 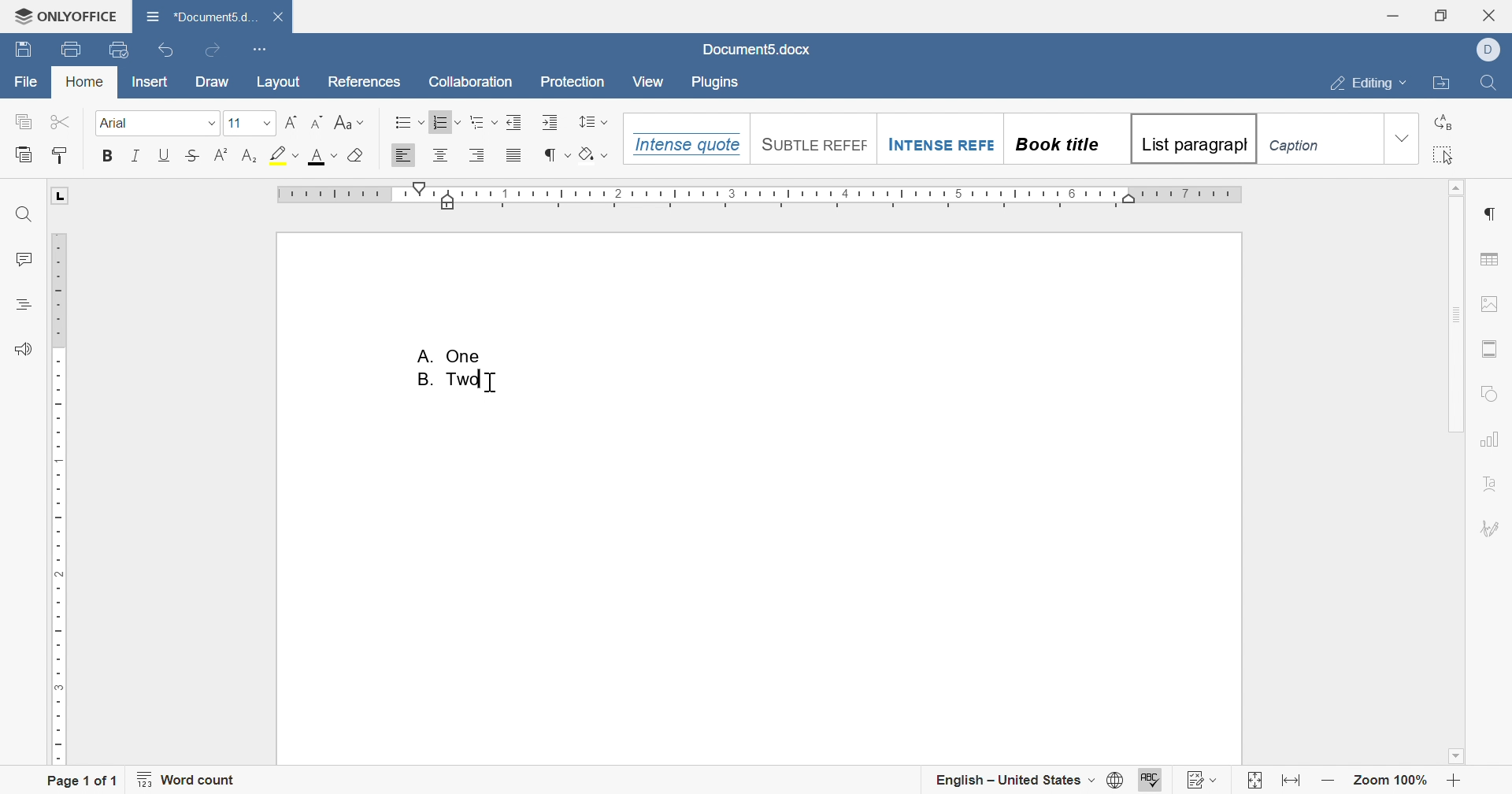 What do you see at coordinates (1402, 139) in the screenshot?
I see `drop down` at bounding box center [1402, 139].